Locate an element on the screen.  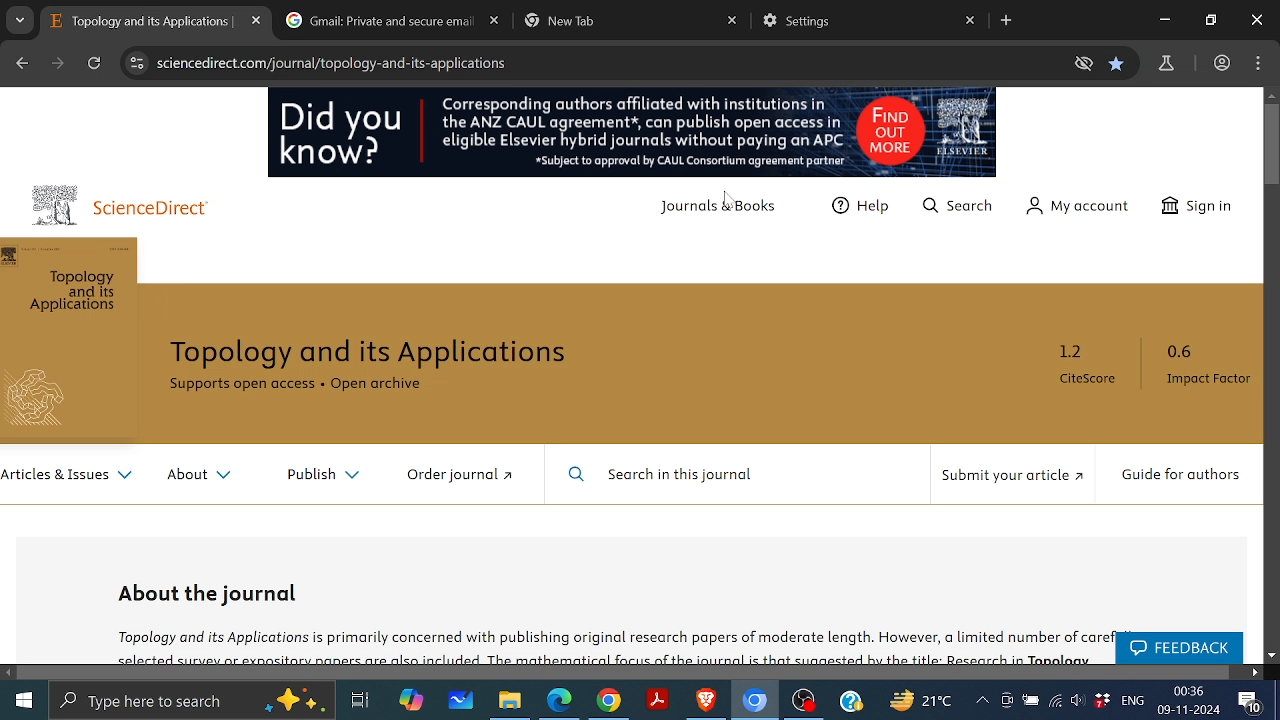
Settings tab is located at coordinates (856, 23).